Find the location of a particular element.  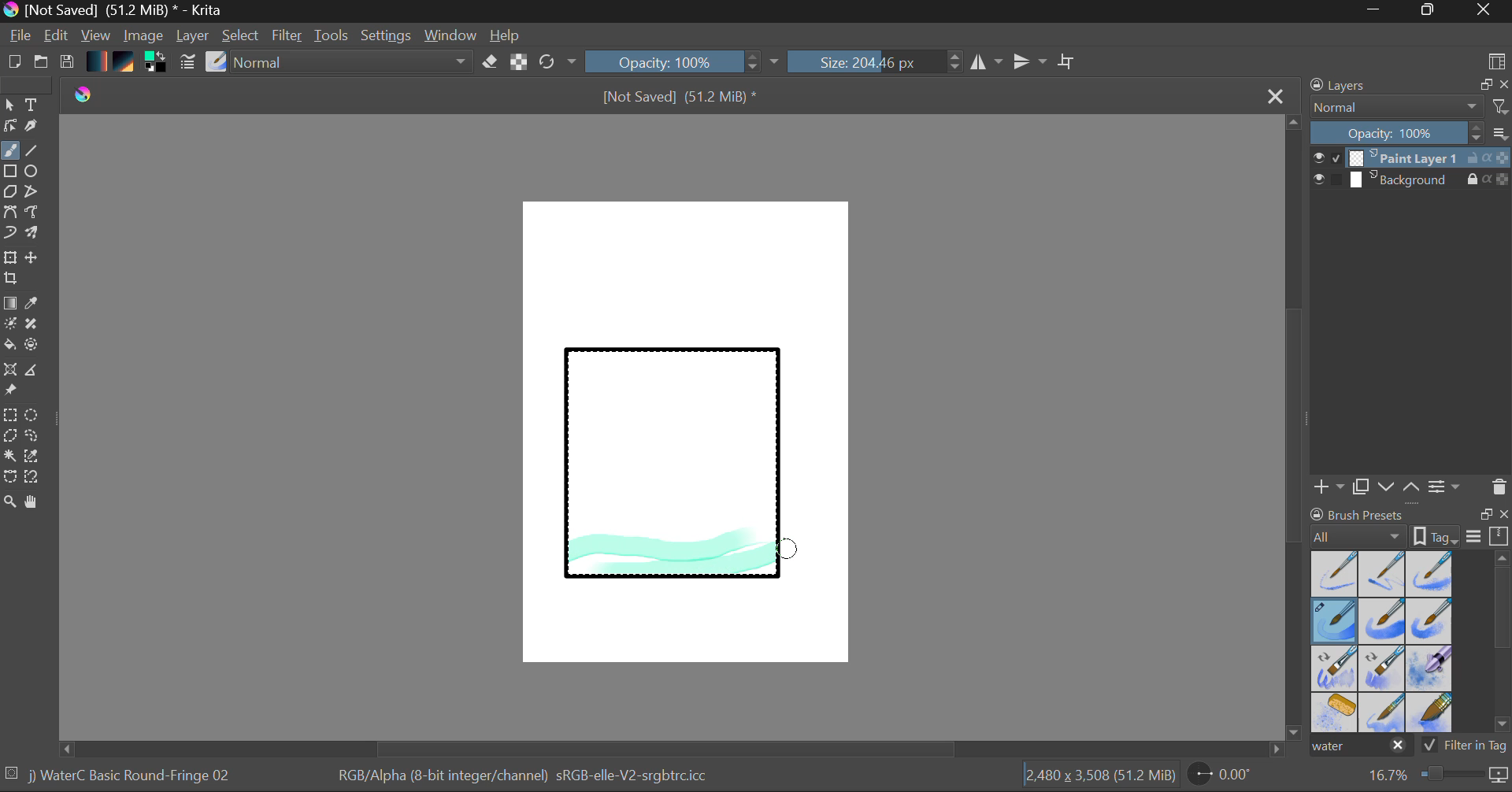

Move Layer Up is located at coordinates (1412, 486).